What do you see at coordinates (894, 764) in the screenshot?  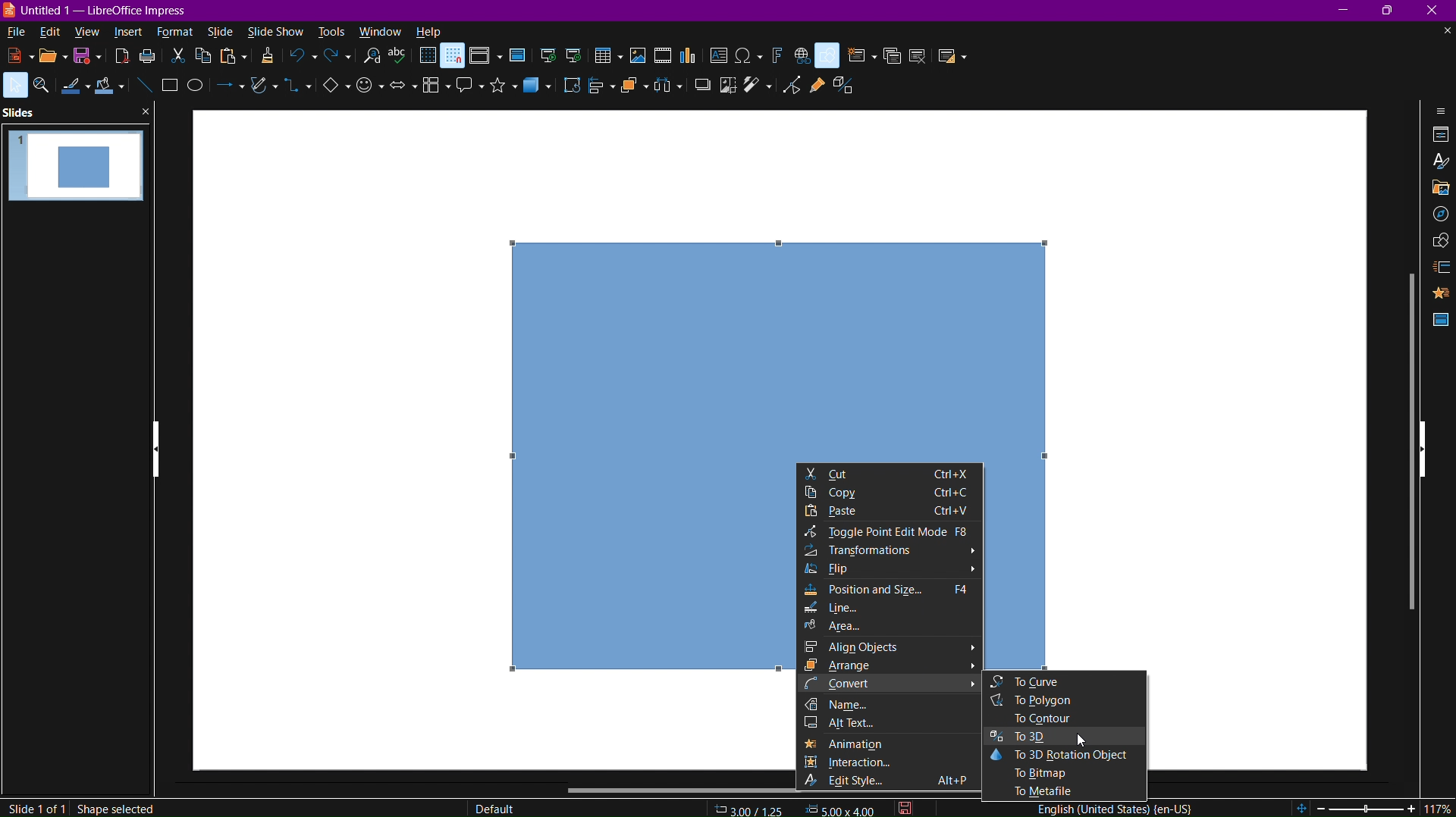 I see `Interaction` at bounding box center [894, 764].